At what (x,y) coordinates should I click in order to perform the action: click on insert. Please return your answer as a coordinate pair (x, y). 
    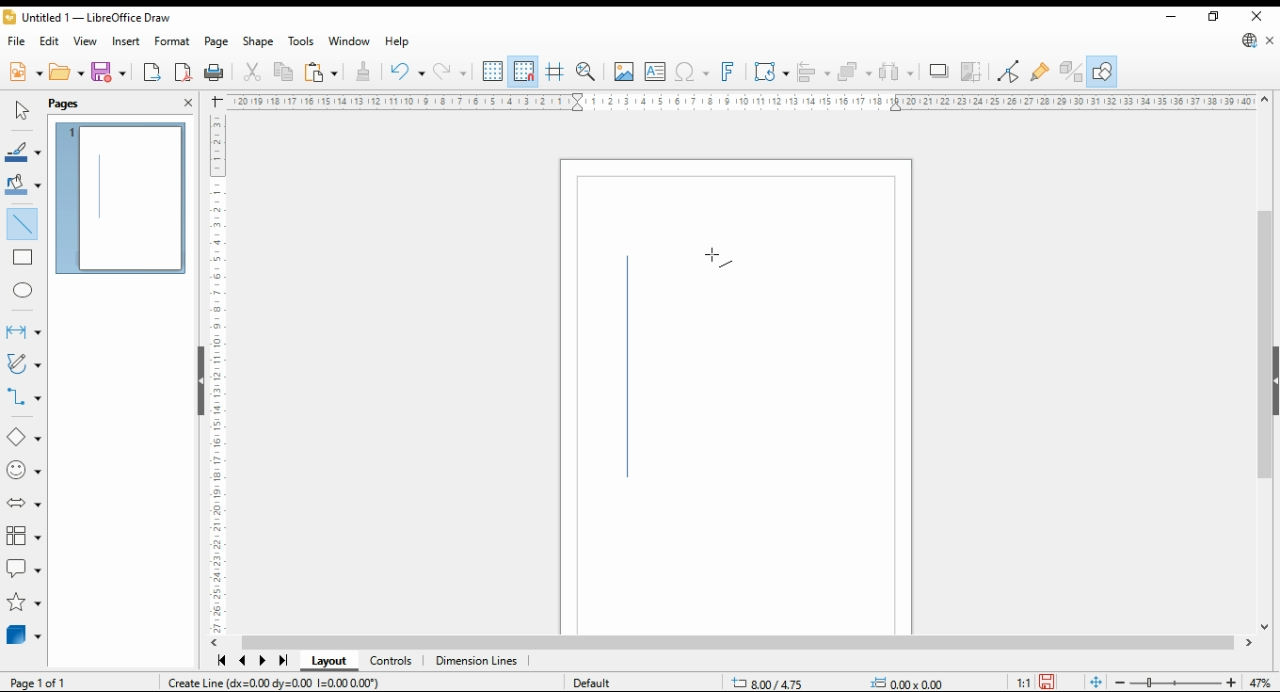
    Looking at the image, I should click on (127, 41).